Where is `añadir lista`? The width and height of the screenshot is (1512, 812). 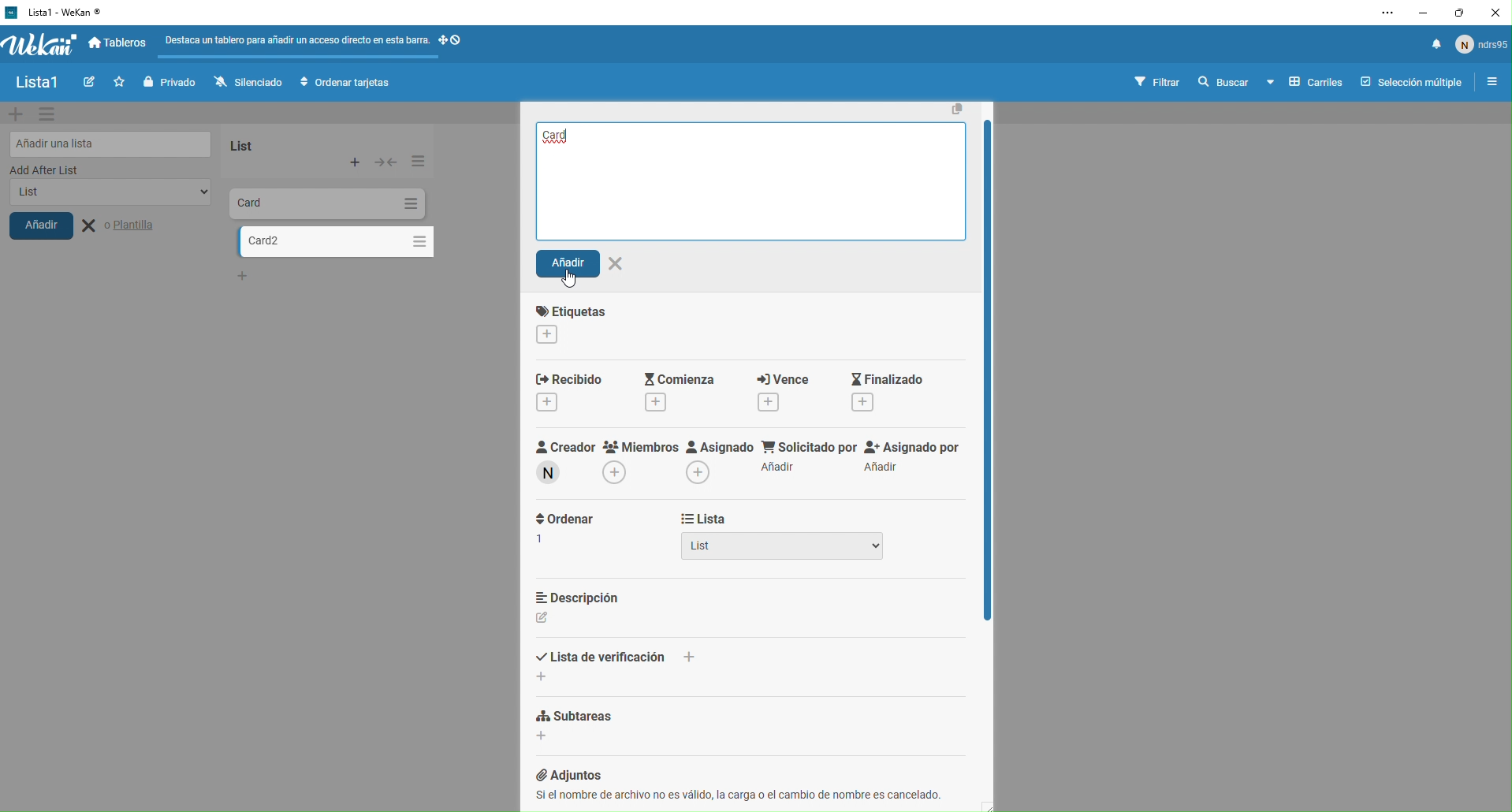 añadir lista is located at coordinates (107, 142).